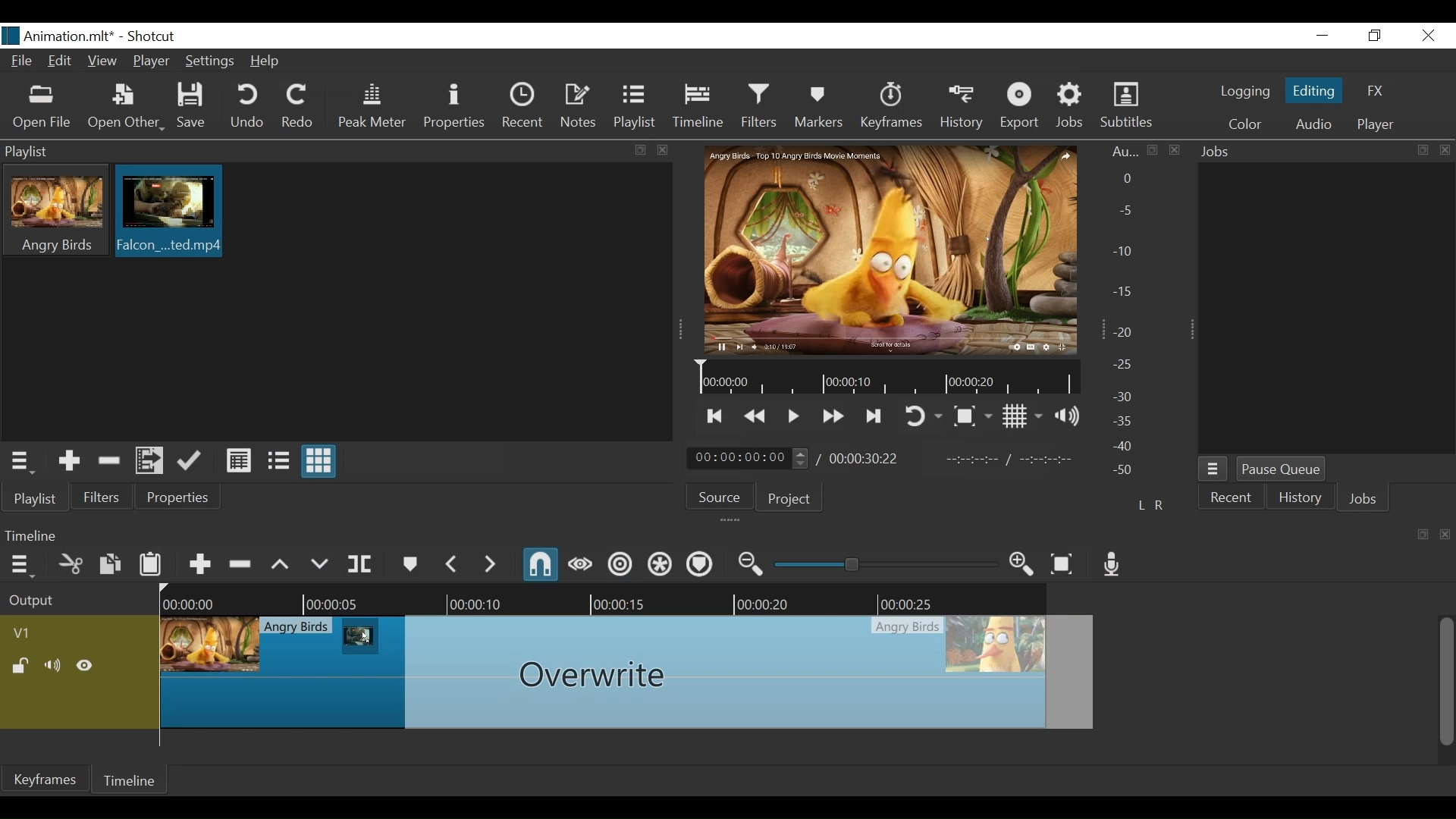 This screenshot has height=819, width=1456. I want to click on Subtitles, so click(1129, 105).